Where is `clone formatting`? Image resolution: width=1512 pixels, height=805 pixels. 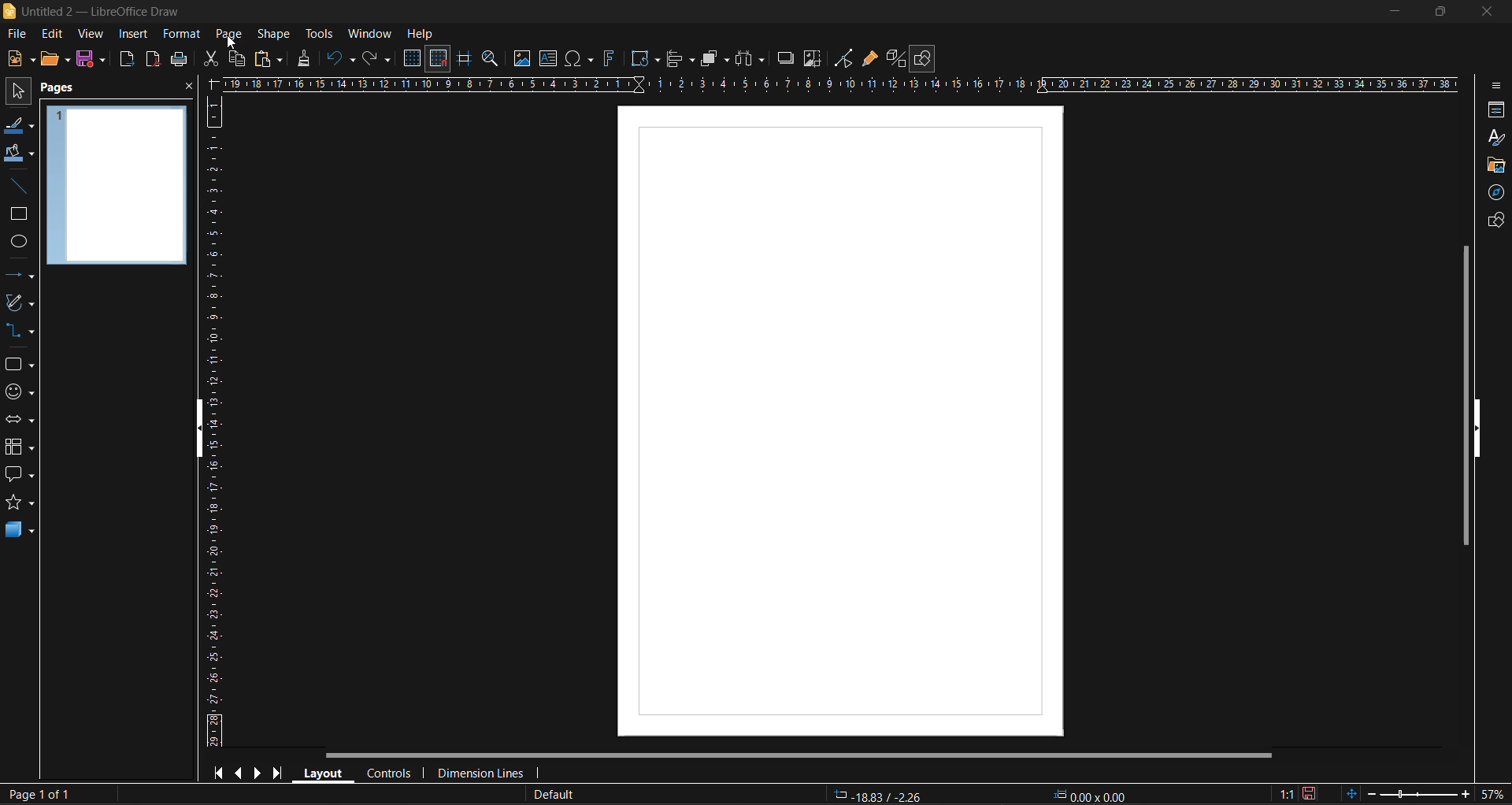
clone formatting is located at coordinates (308, 60).